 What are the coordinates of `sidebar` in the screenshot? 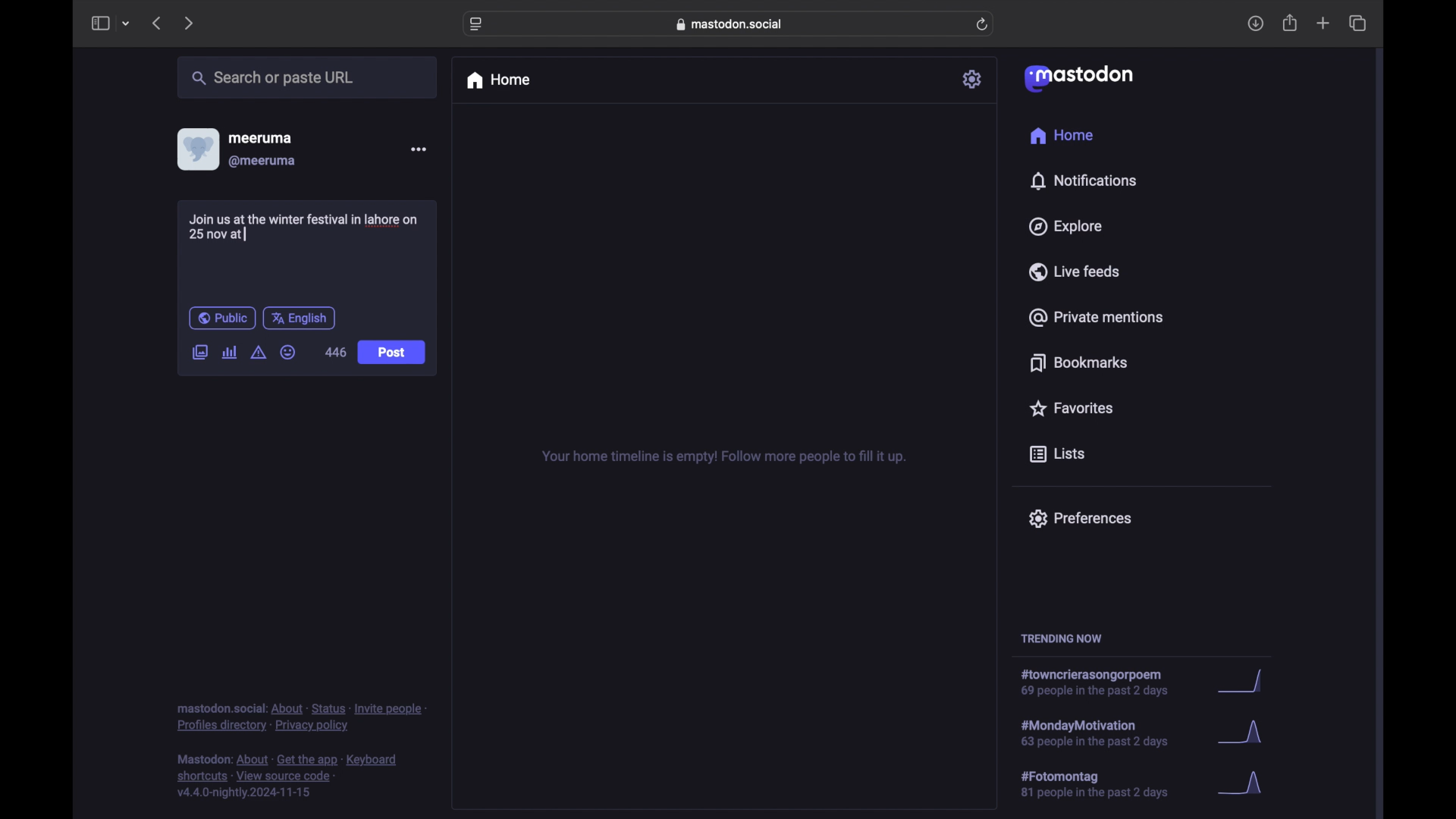 It's located at (99, 23).